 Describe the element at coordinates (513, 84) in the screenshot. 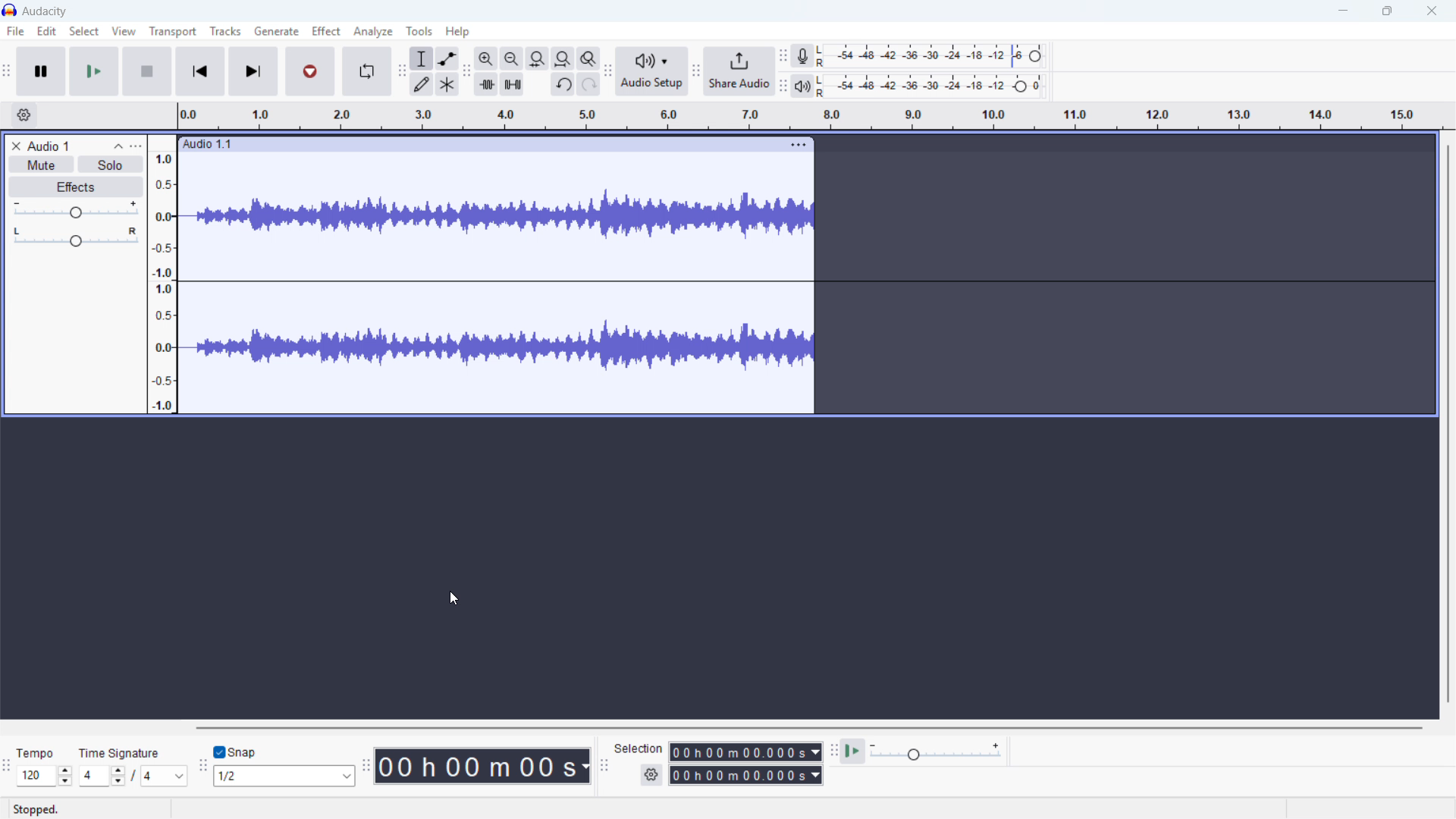

I see `Silence audio selection ` at that location.